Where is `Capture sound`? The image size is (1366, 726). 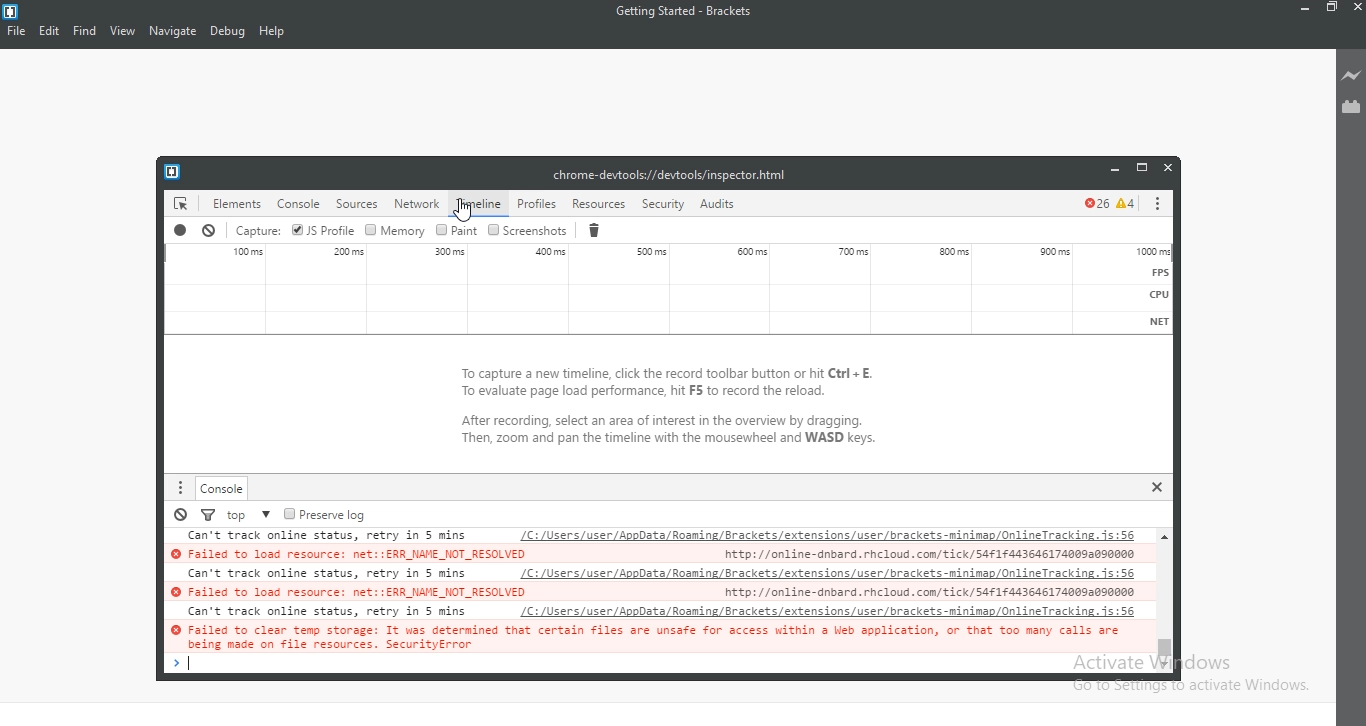 Capture sound is located at coordinates (258, 230).